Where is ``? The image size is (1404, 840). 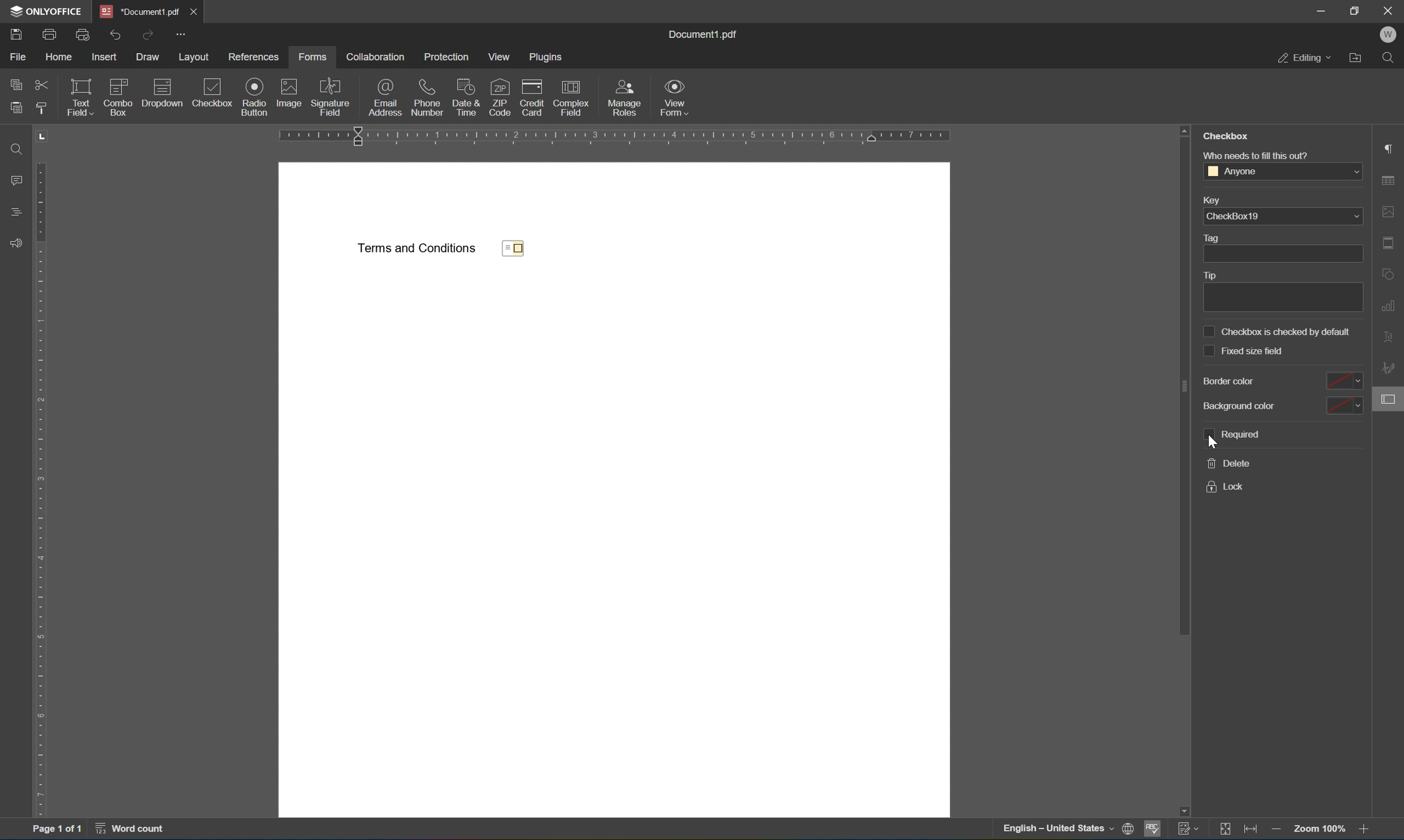
 is located at coordinates (628, 97).